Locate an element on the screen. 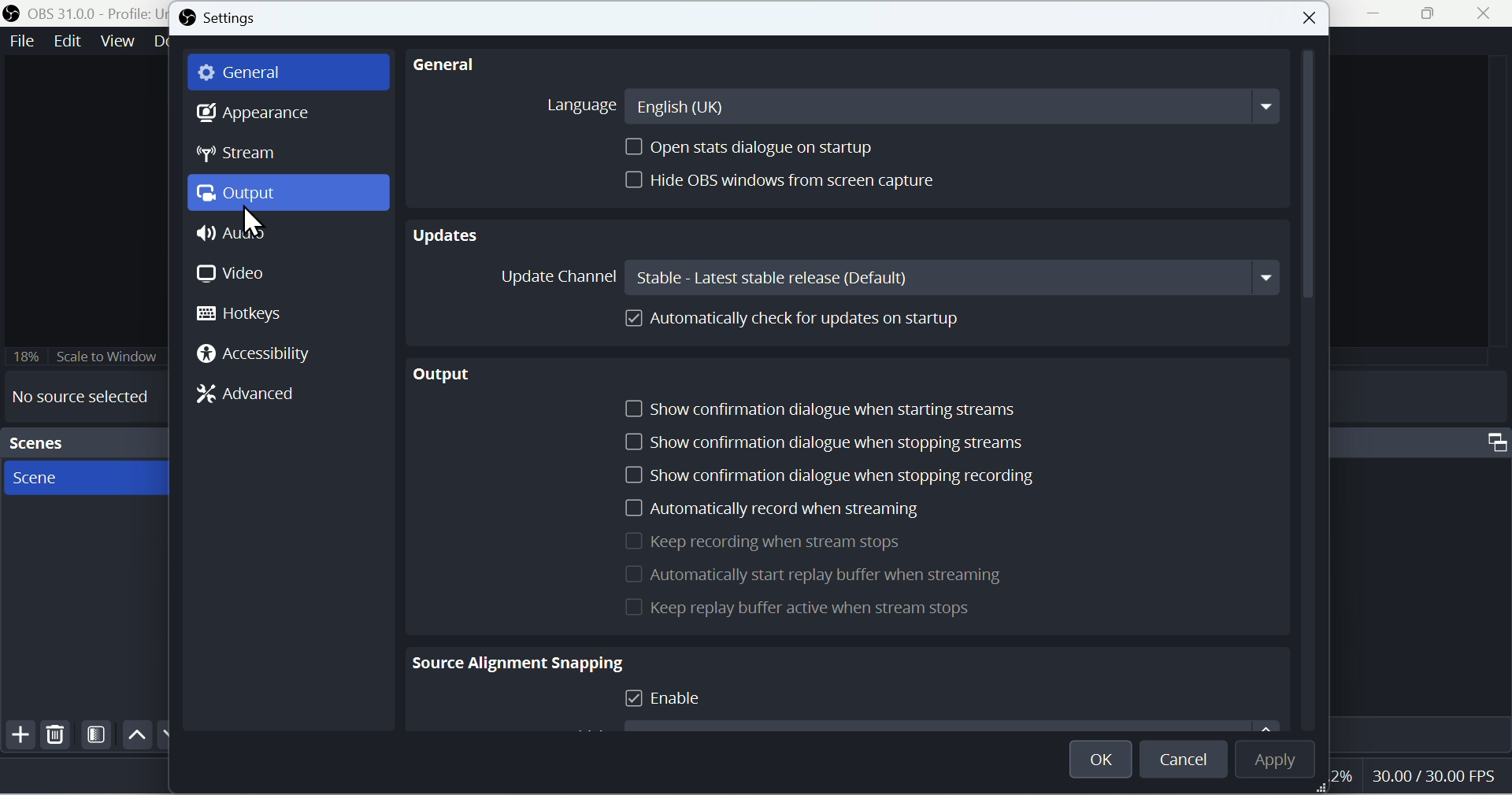  Stream is located at coordinates (250, 157).